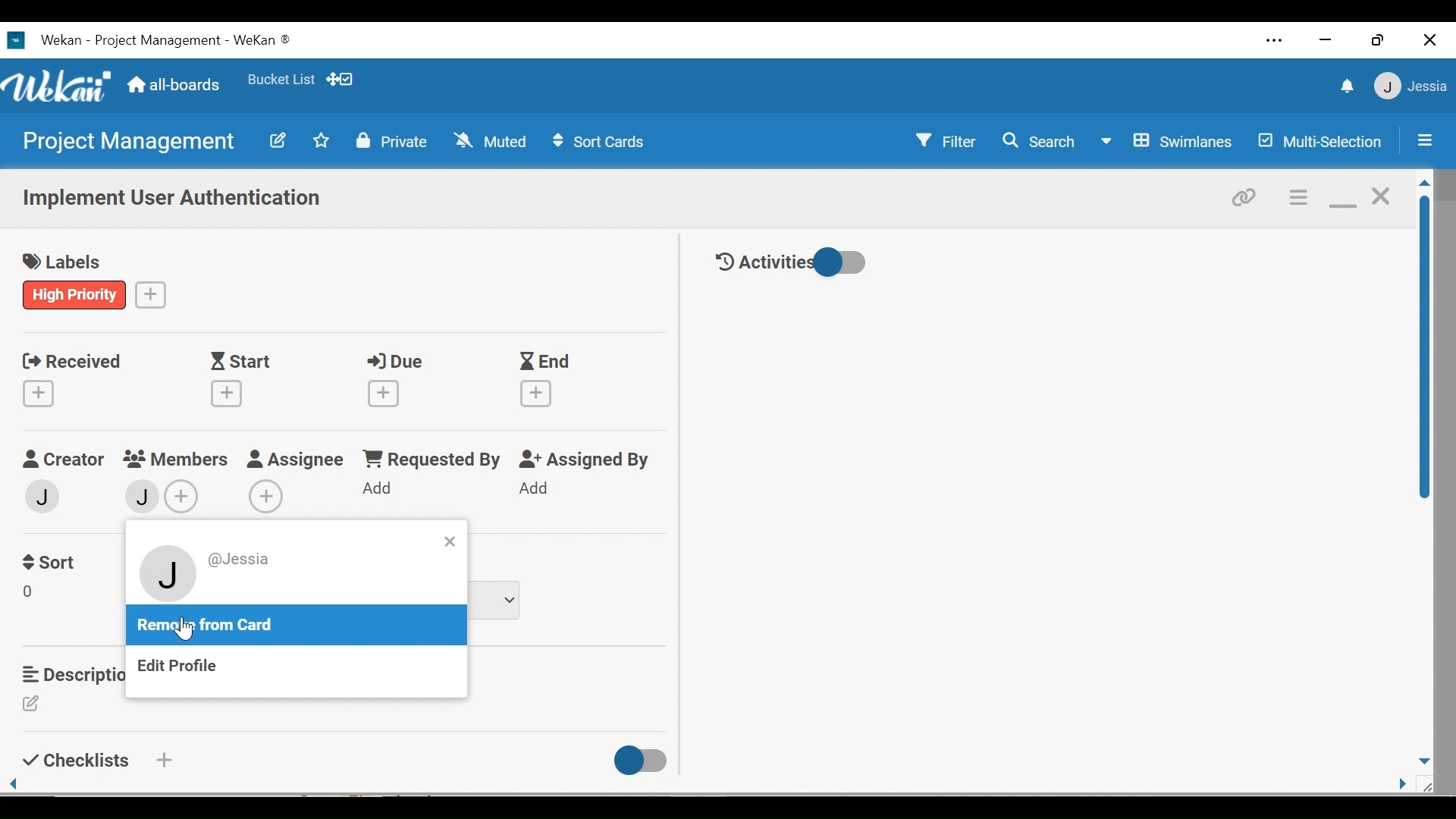  What do you see at coordinates (1423, 761) in the screenshot?
I see `move down` at bounding box center [1423, 761].